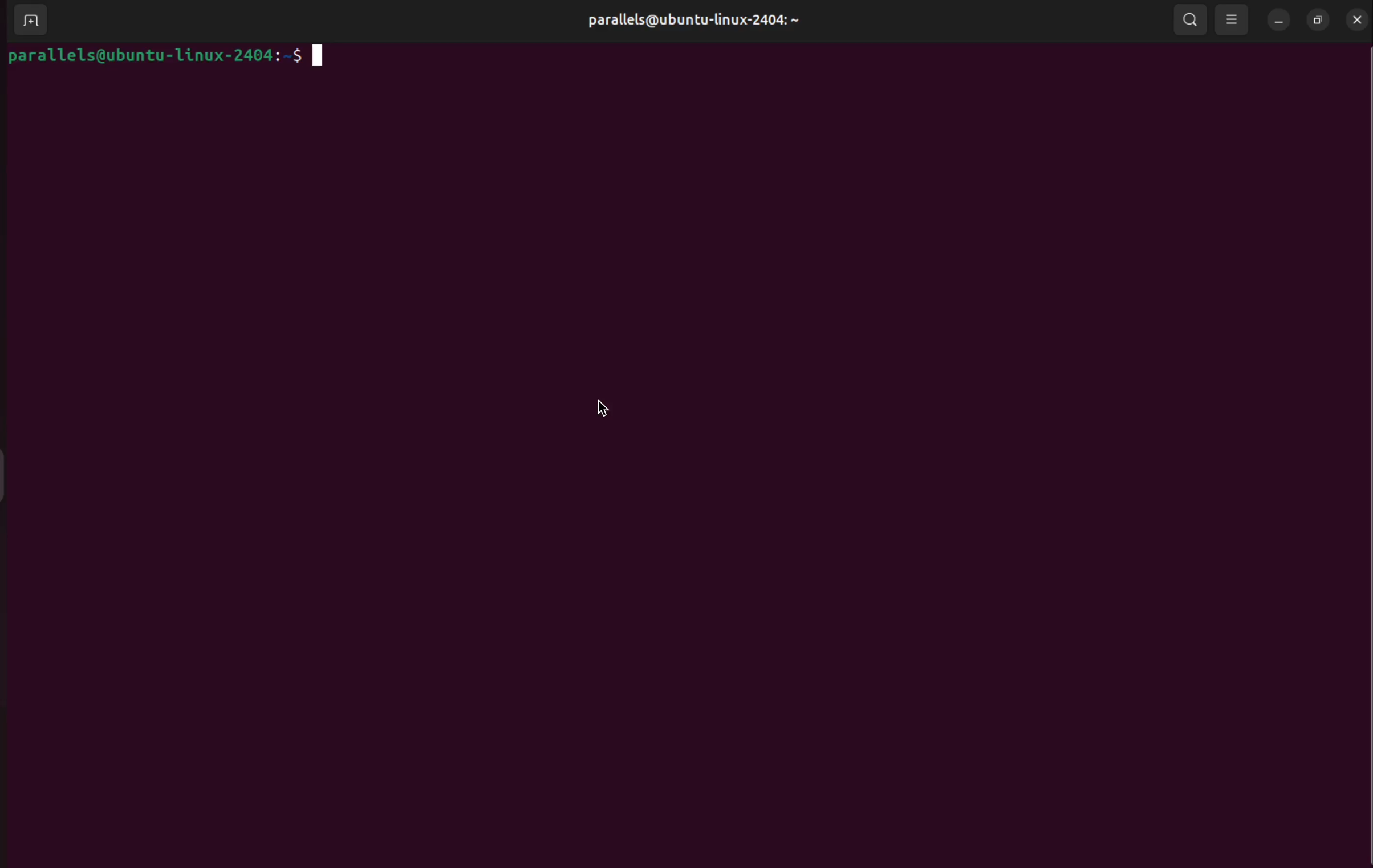 The image size is (1373, 868). What do you see at coordinates (691, 21) in the screenshot?
I see `parallels user profile` at bounding box center [691, 21].